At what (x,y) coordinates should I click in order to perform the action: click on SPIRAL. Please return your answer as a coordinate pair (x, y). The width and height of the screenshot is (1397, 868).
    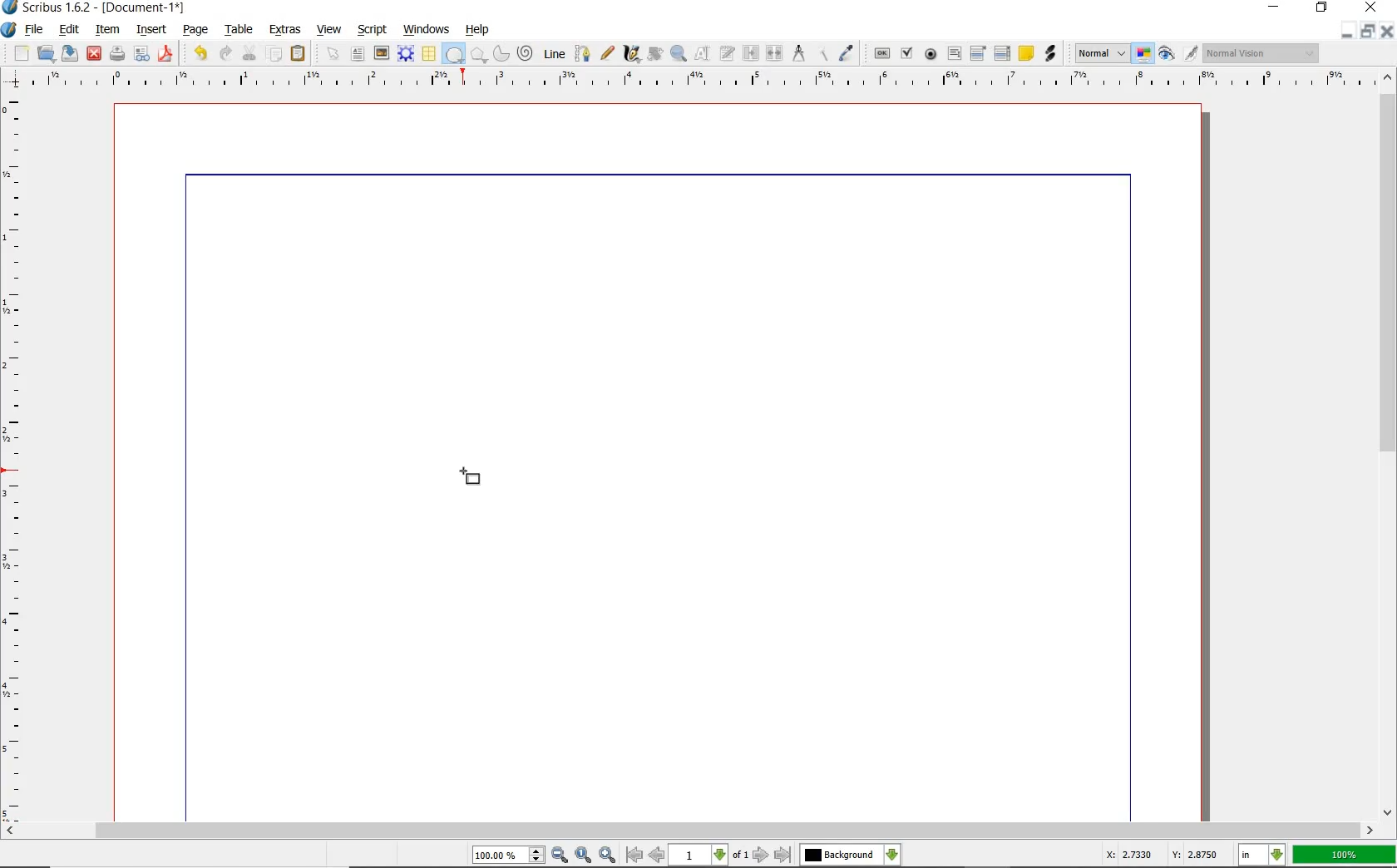
    Looking at the image, I should click on (524, 54).